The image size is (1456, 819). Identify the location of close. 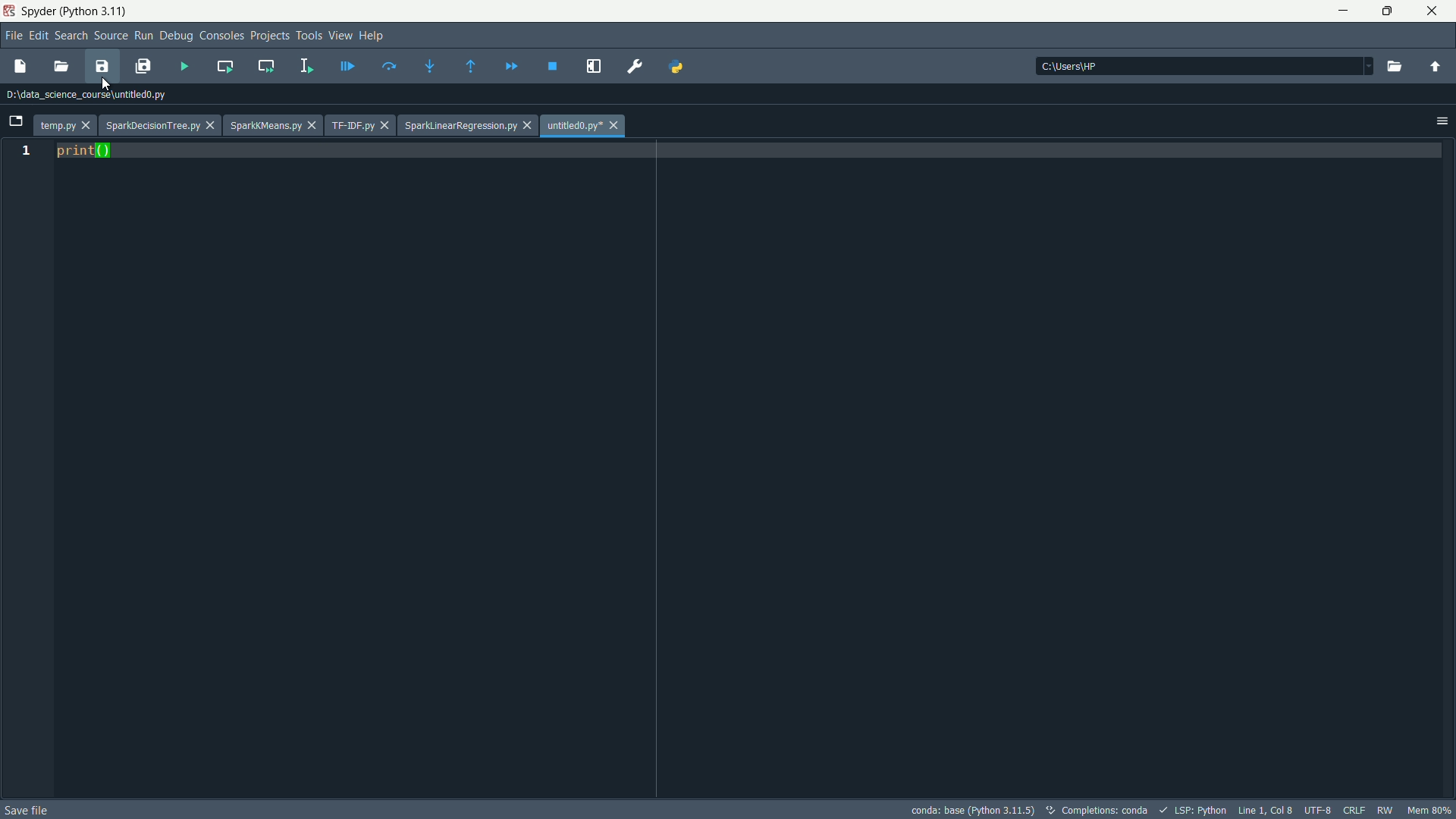
(317, 127).